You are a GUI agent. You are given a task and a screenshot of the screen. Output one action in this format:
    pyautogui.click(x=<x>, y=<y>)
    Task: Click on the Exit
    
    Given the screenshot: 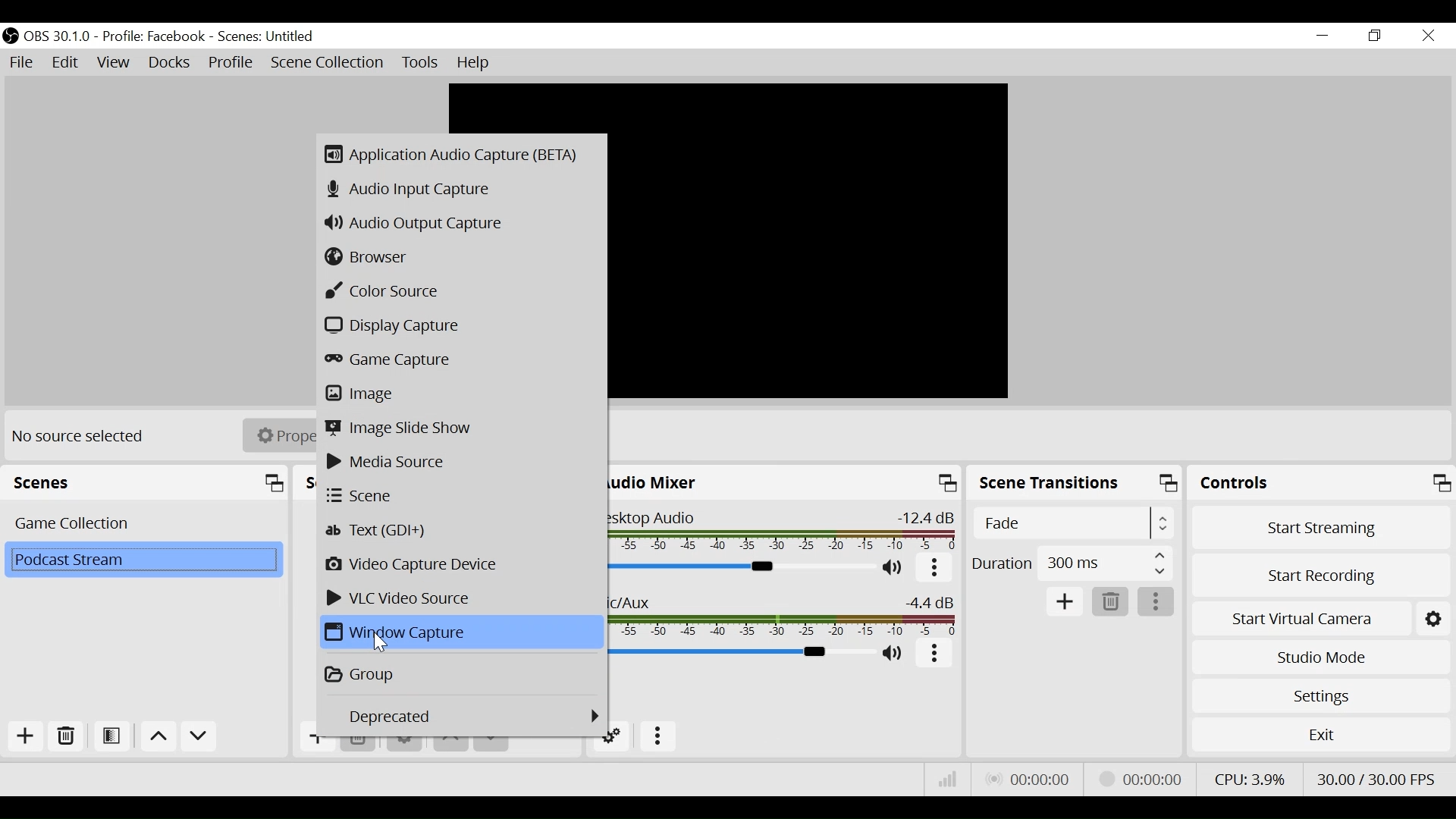 What is the action you would take?
    pyautogui.click(x=1321, y=736)
    